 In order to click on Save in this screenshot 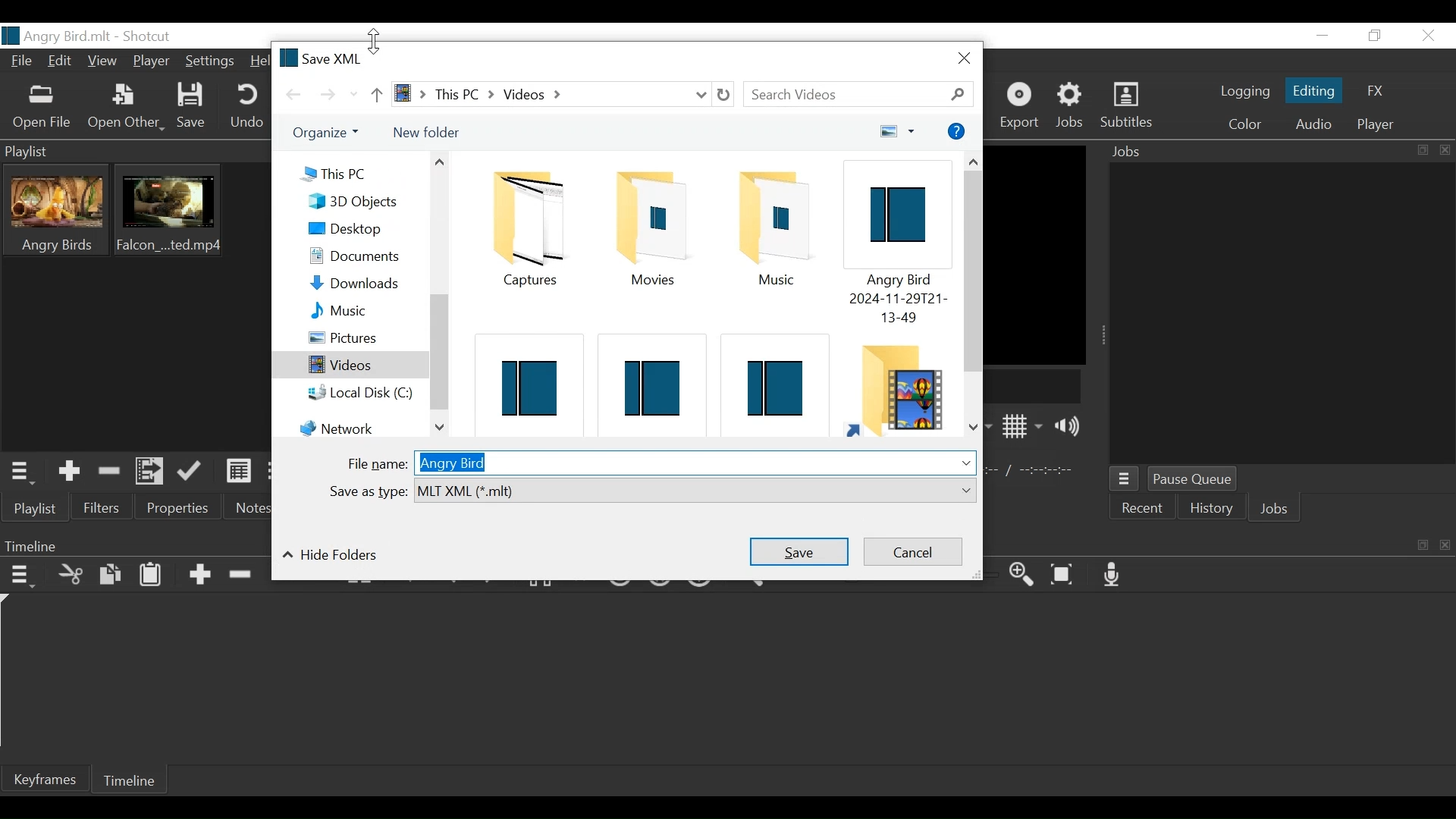, I will do `click(799, 550)`.